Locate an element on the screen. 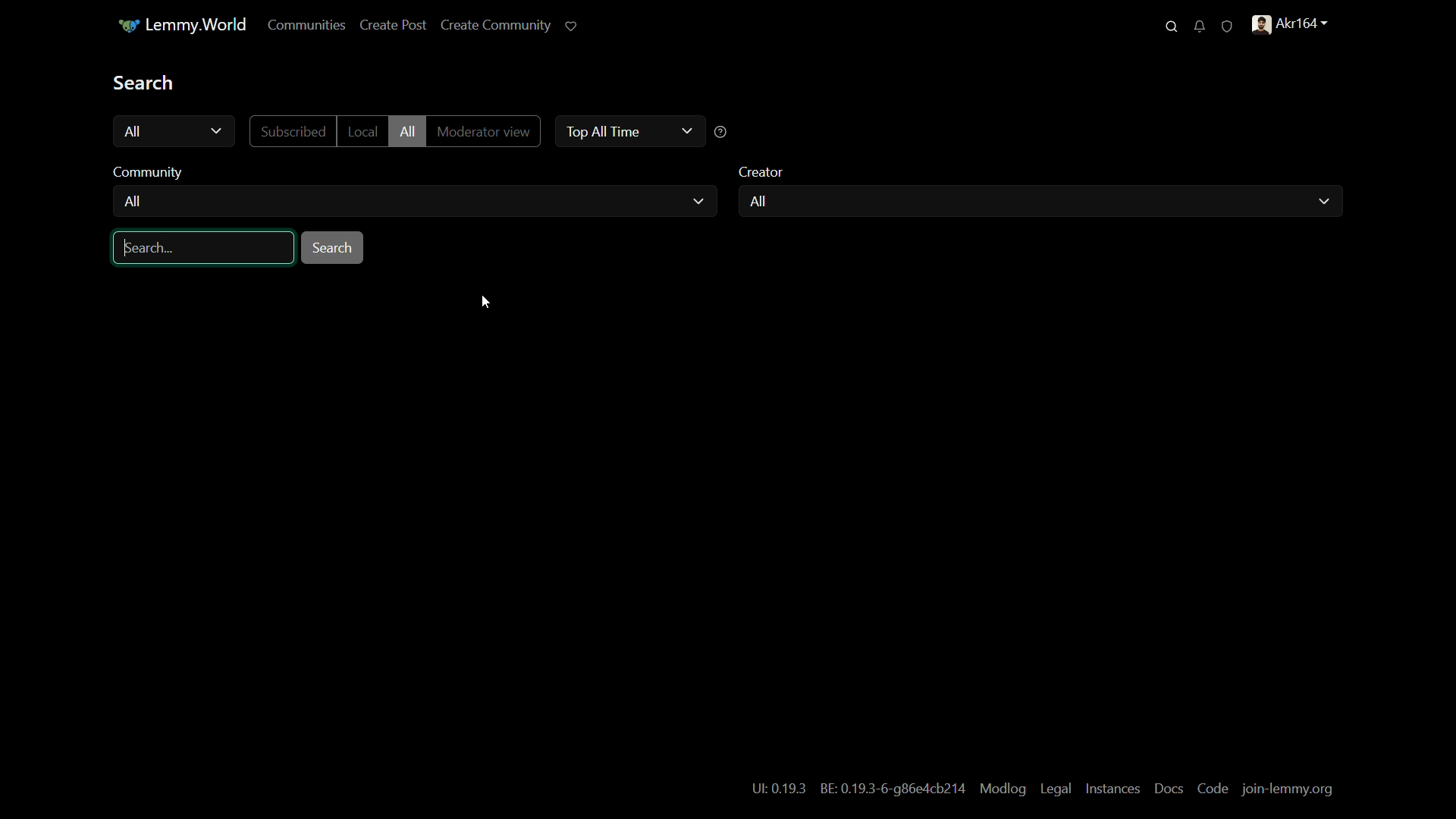 The height and width of the screenshot is (819, 1456). all is located at coordinates (133, 203).